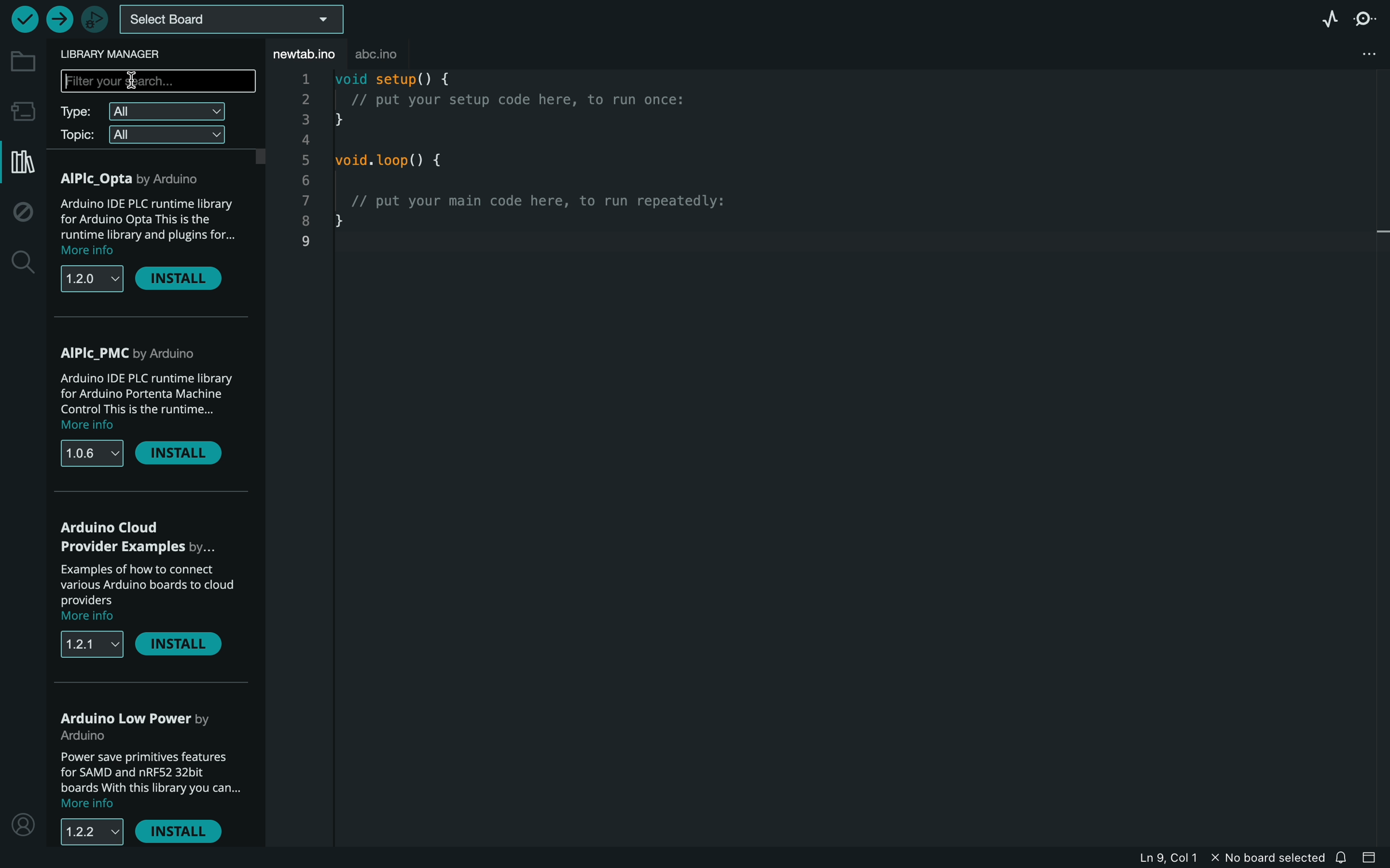 The width and height of the screenshot is (1390, 868). I want to click on upload, so click(59, 19).